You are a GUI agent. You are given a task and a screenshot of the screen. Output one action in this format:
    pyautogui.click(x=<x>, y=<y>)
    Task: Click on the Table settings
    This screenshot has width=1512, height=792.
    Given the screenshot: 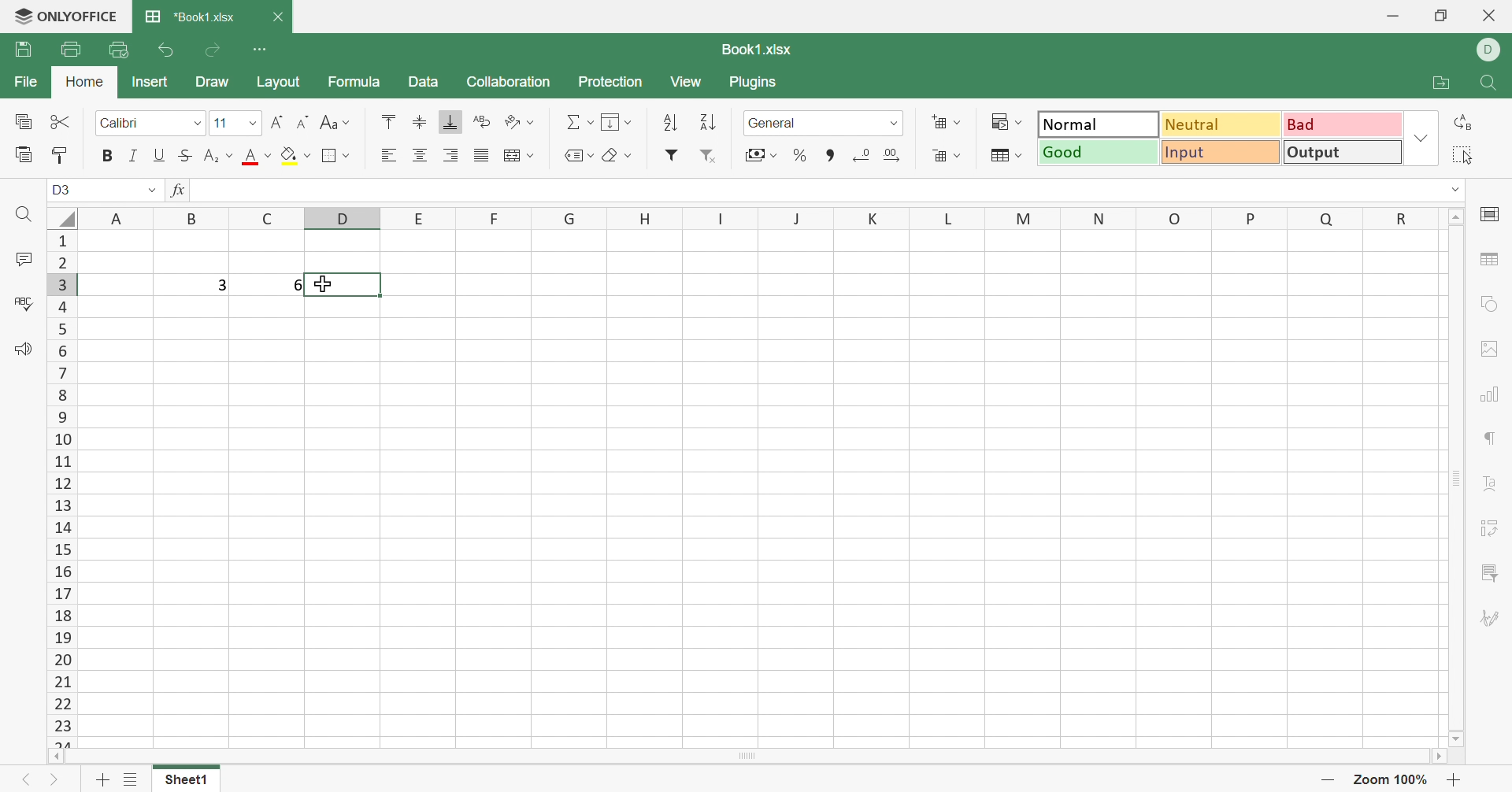 What is the action you would take?
    pyautogui.click(x=1488, y=258)
    